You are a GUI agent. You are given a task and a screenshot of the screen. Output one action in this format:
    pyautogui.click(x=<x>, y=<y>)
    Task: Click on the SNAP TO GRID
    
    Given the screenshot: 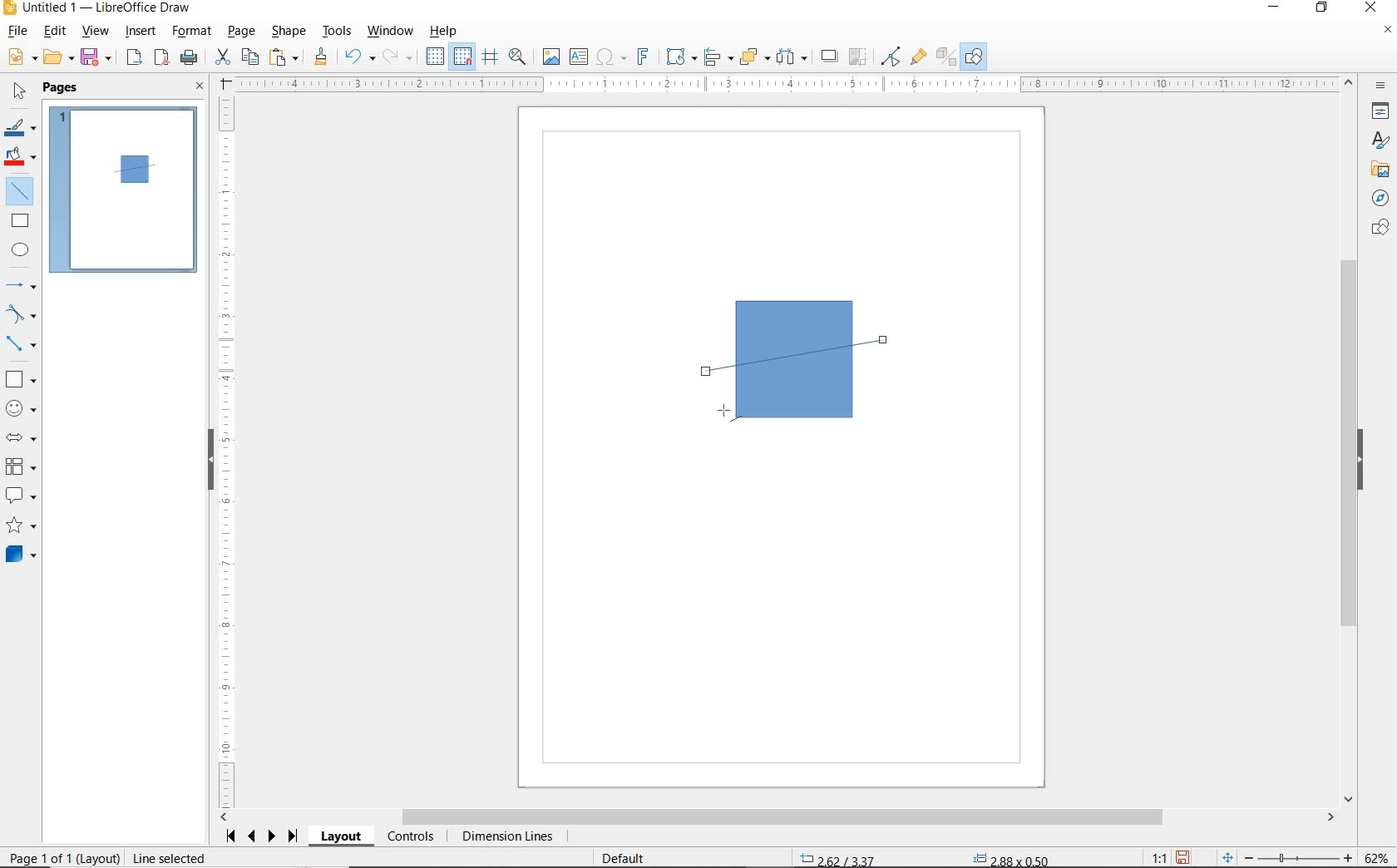 What is the action you would take?
    pyautogui.click(x=463, y=57)
    